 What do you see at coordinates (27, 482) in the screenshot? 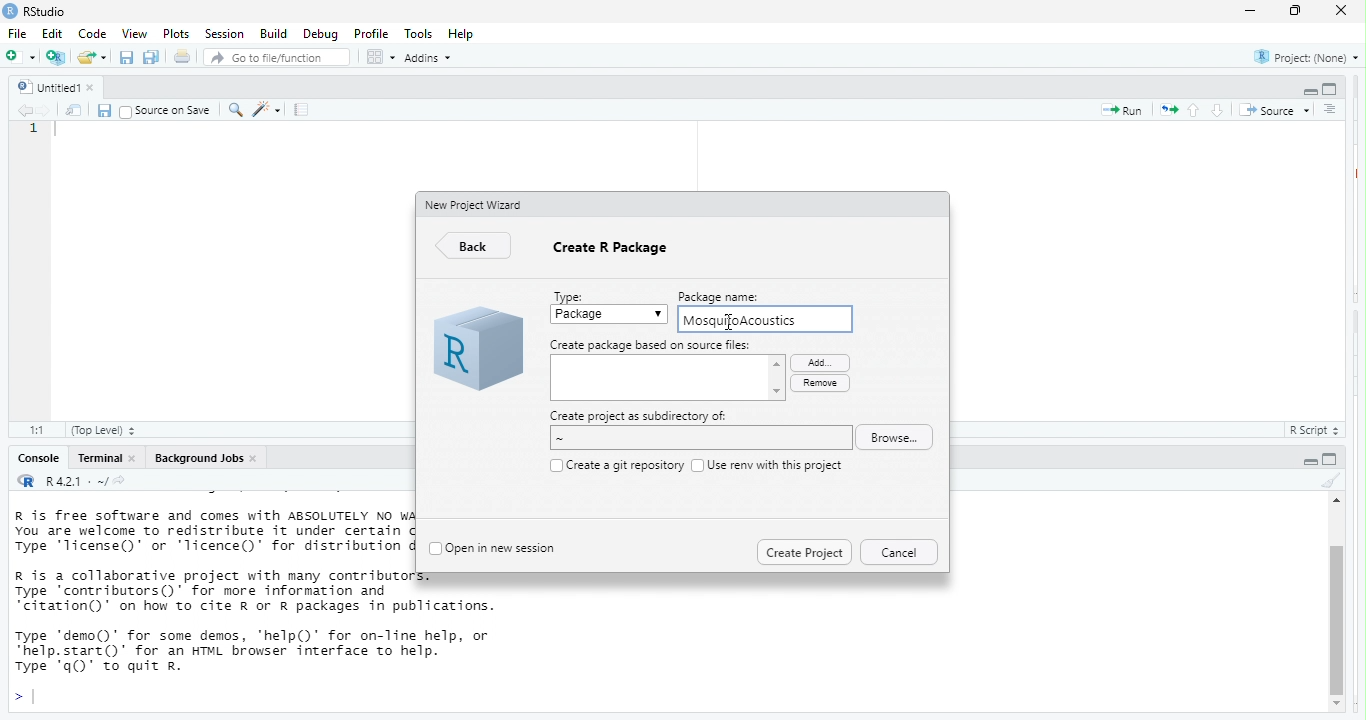
I see `r studio logo` at bounding box center [27, 482].